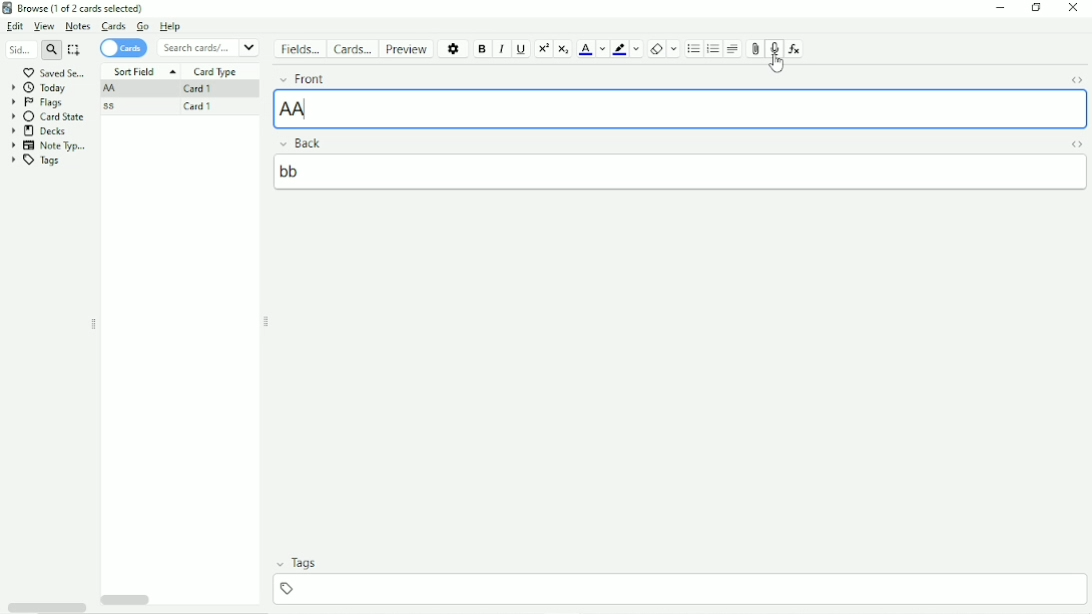 Image resolution: width=1092 pixels, height=614 pixels. I want to click on Attach picture/audio/video, so click(754, 48).